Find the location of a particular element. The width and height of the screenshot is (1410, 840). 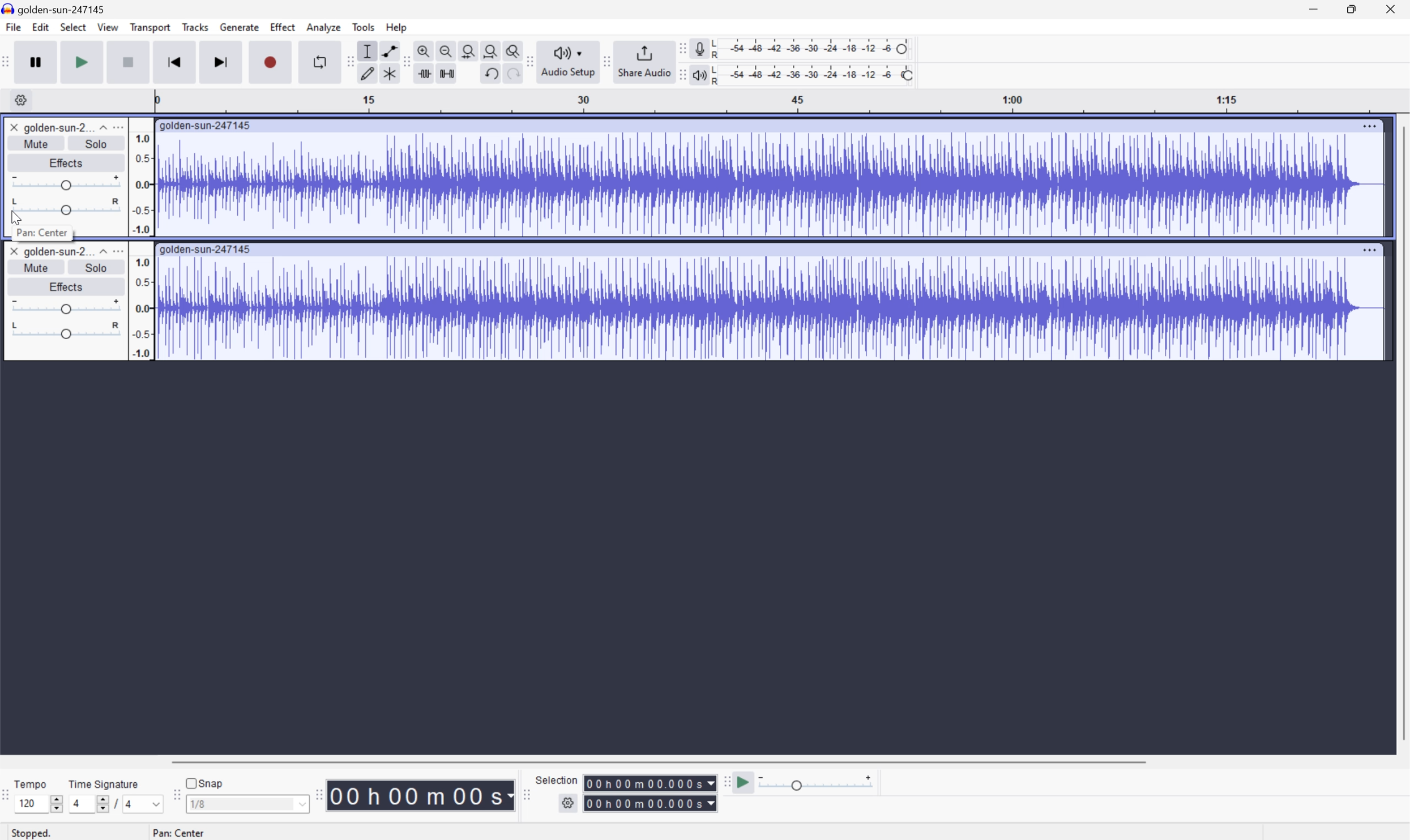

Share Audio is located at coordinates (641, 59).